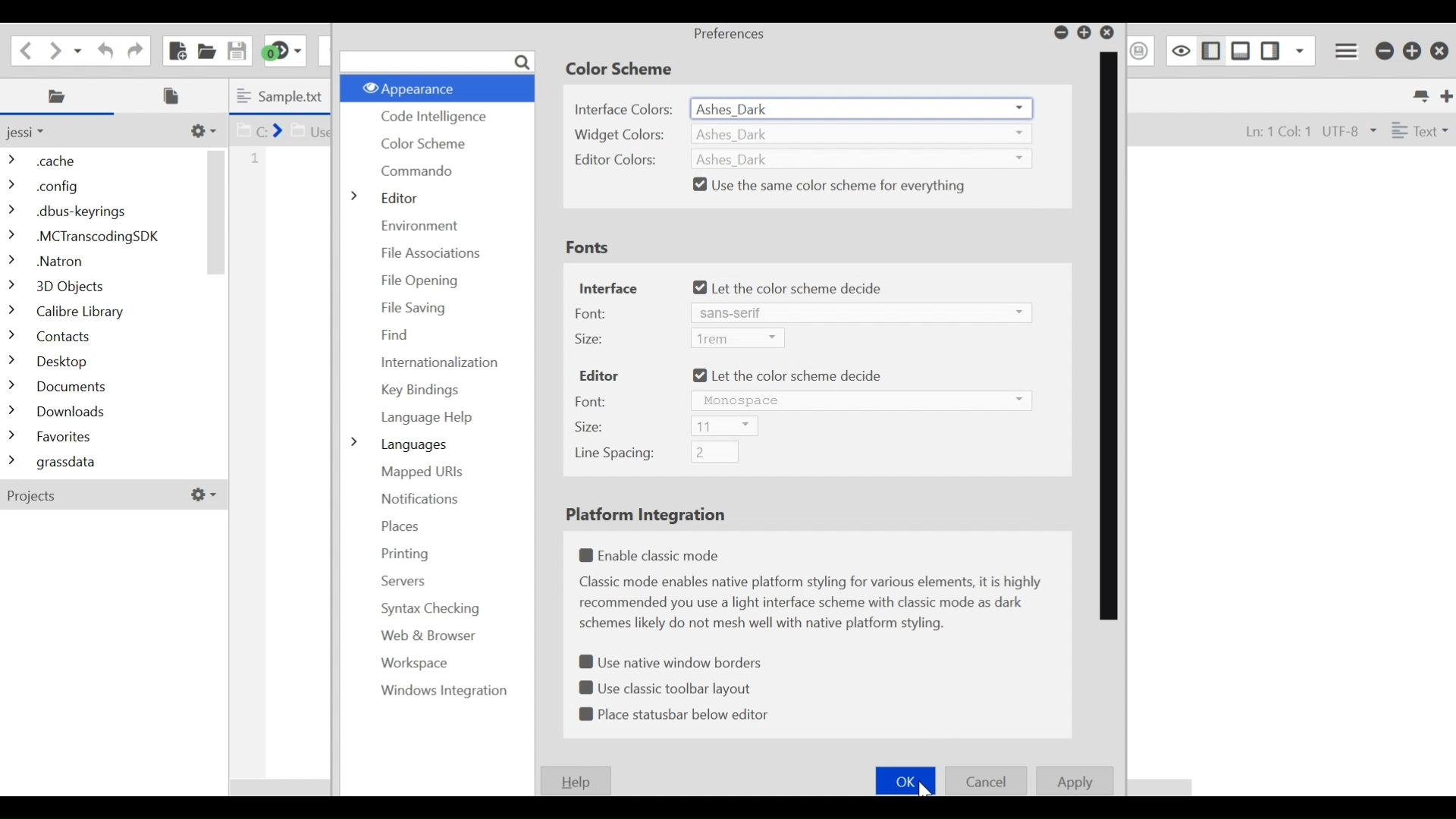 Image resolution: width=1456 pixels, height=819 pixels. Describe the element at coordinates (1059, 33) in the screenshot. I see `Minimize` at that location.